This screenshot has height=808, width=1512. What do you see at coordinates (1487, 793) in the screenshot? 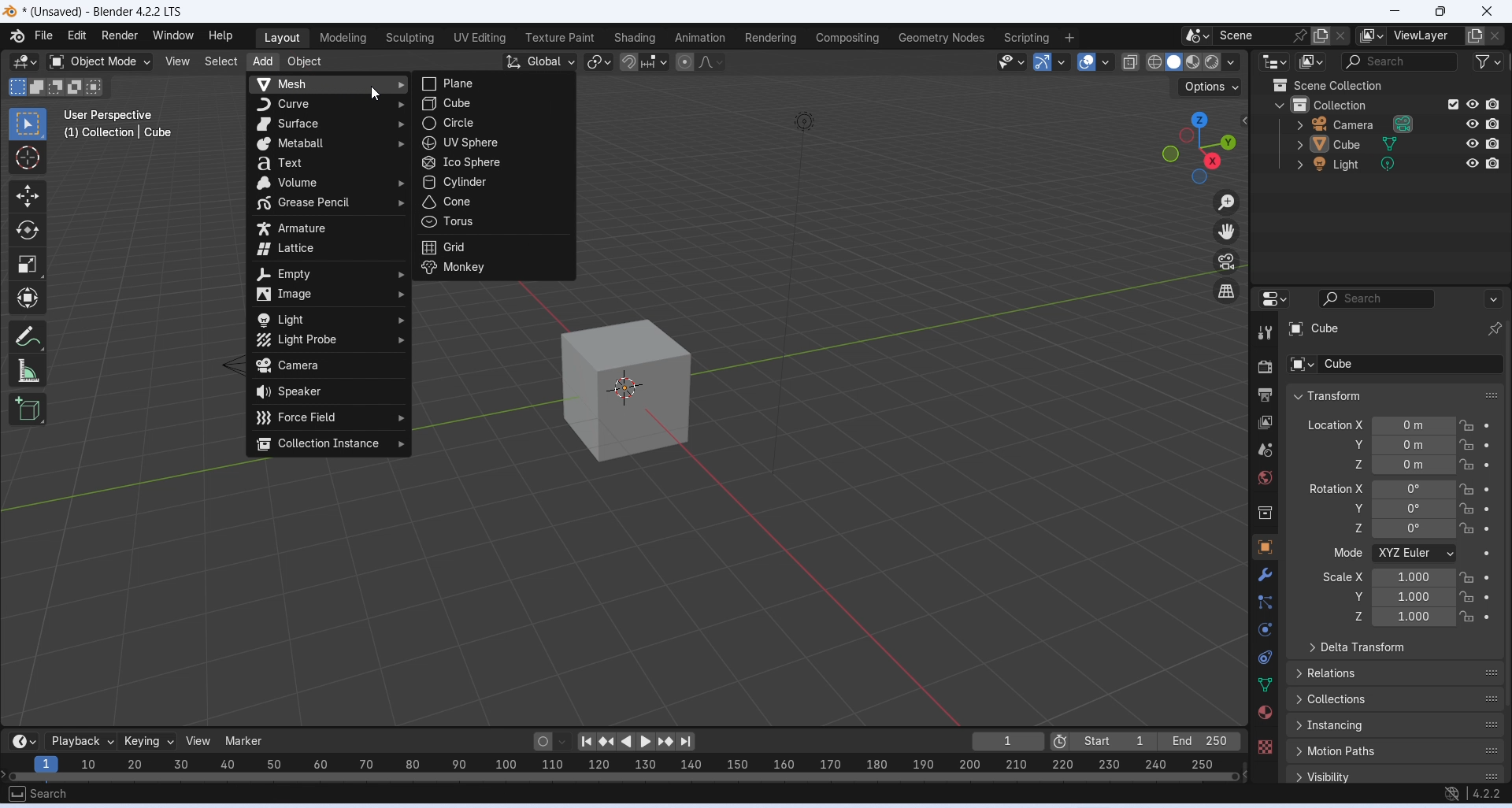
I see `4.2.2` at bounding box center [1487, 793].